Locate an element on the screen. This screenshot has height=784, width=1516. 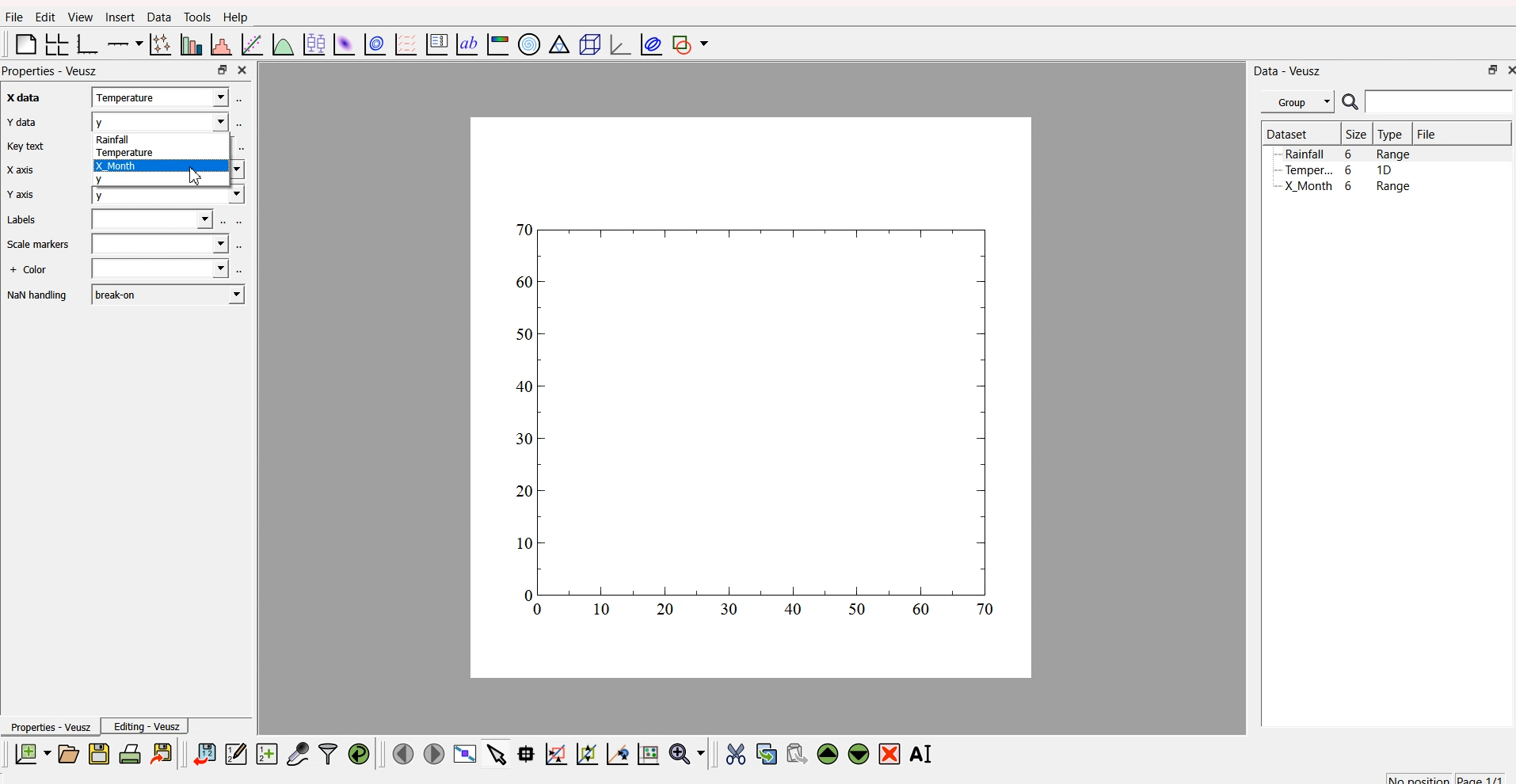
reload linked dataset is located at coordinates (358, 752).